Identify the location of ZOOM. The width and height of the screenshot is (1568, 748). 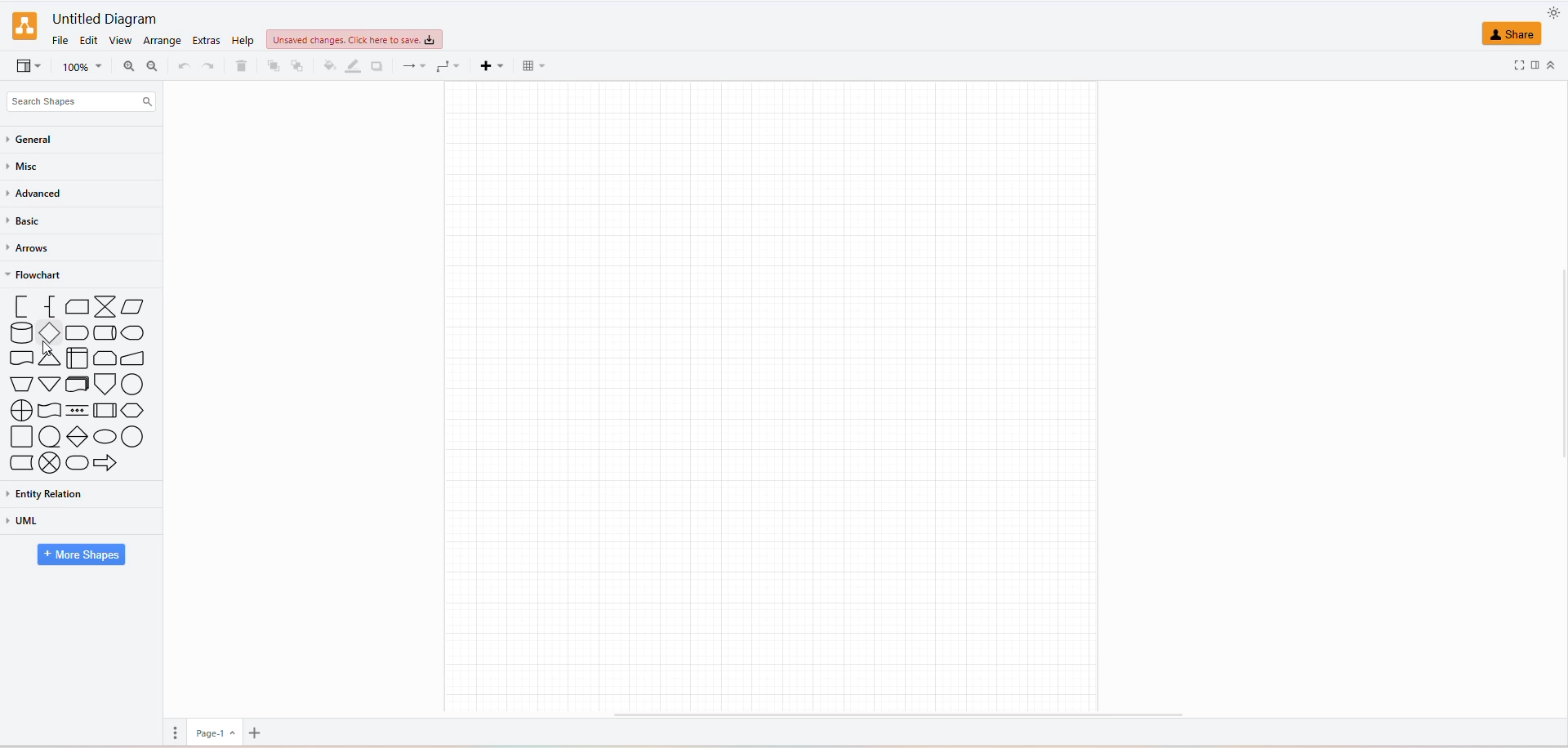
(82, 67).